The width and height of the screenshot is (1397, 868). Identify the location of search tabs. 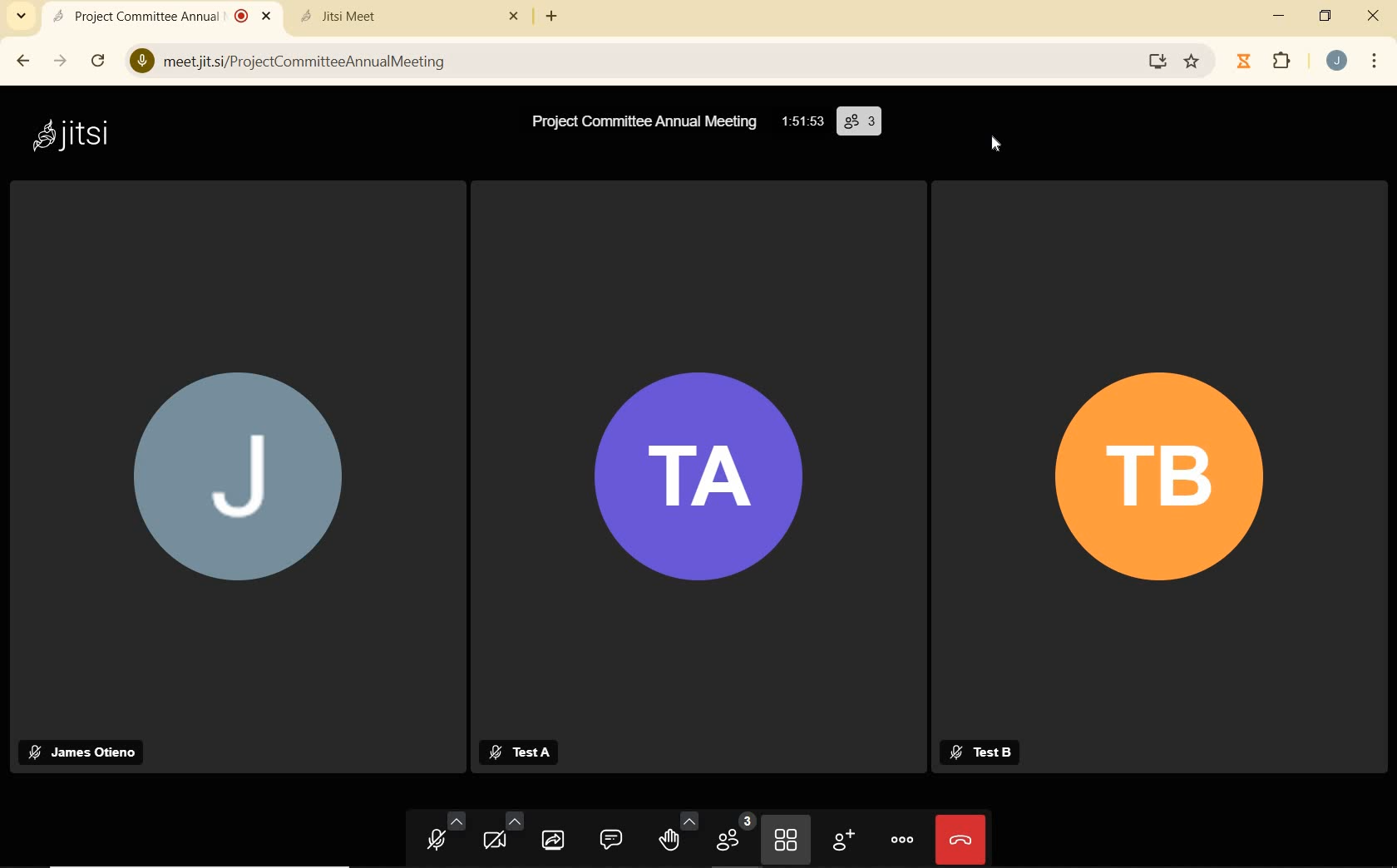
(21, 16).